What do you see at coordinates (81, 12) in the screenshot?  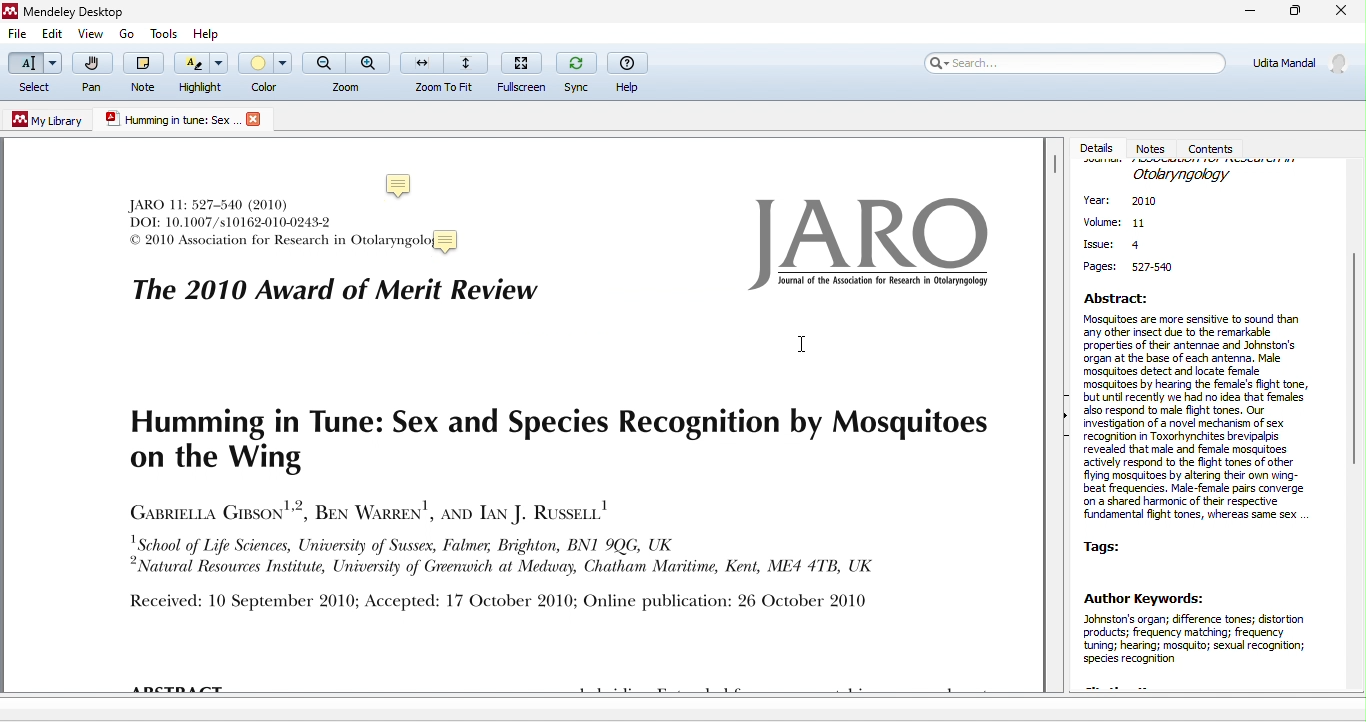 I see `Mendeley Desktop` at bounding box center [81, 12].